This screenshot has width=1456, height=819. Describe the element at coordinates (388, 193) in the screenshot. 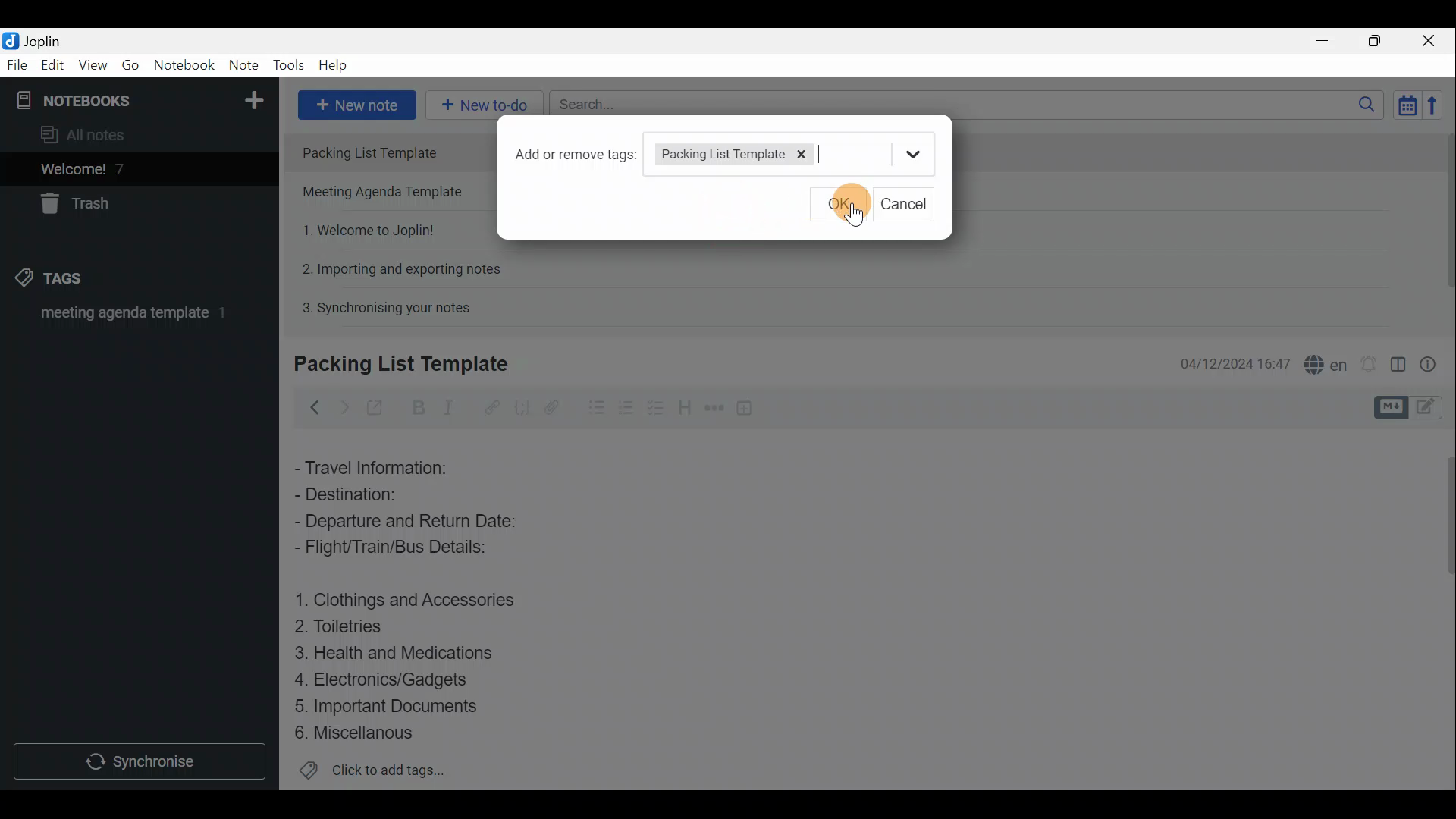

I see `Note 2` at that location.